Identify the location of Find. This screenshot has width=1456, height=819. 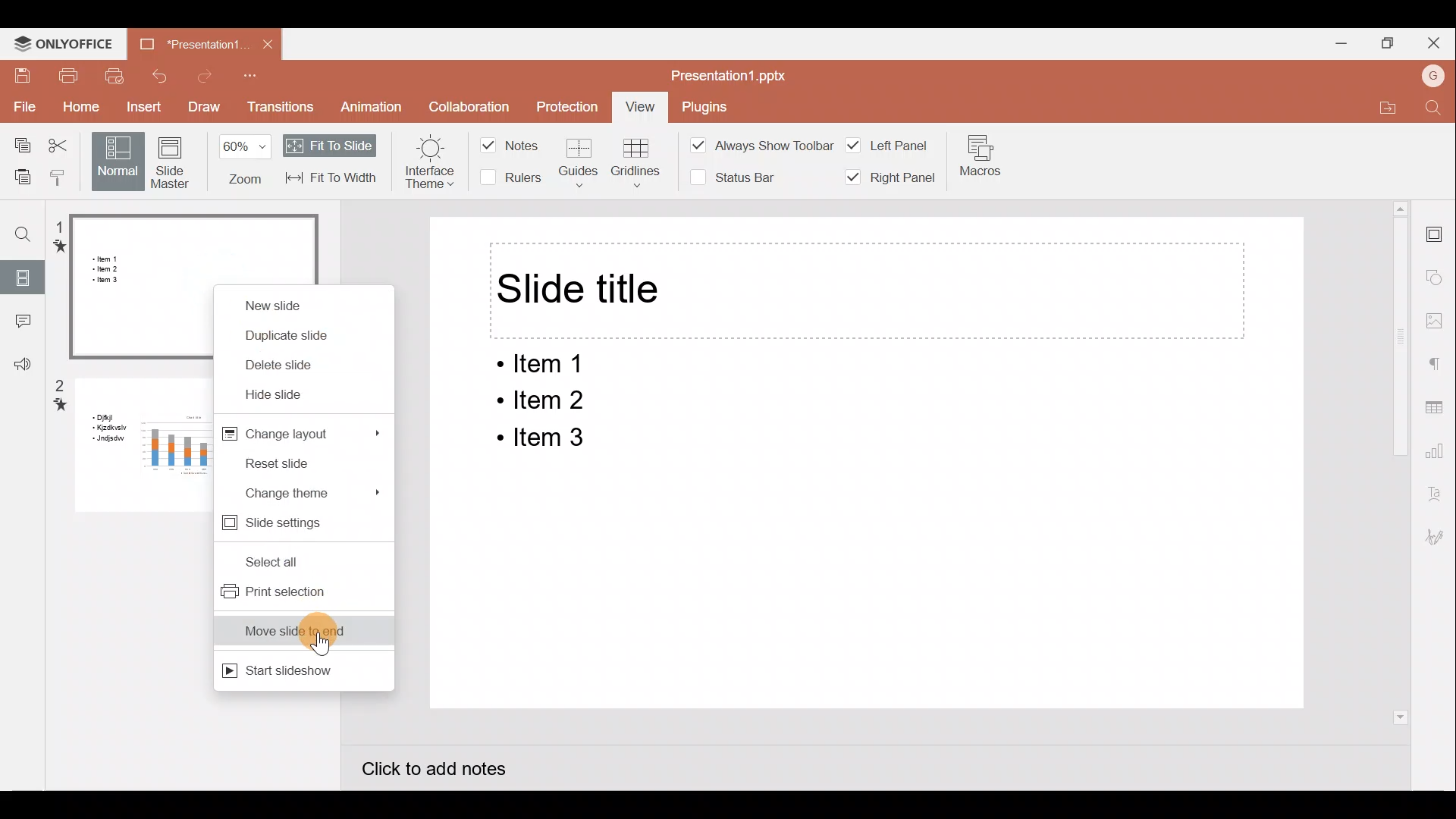
(18, 228).